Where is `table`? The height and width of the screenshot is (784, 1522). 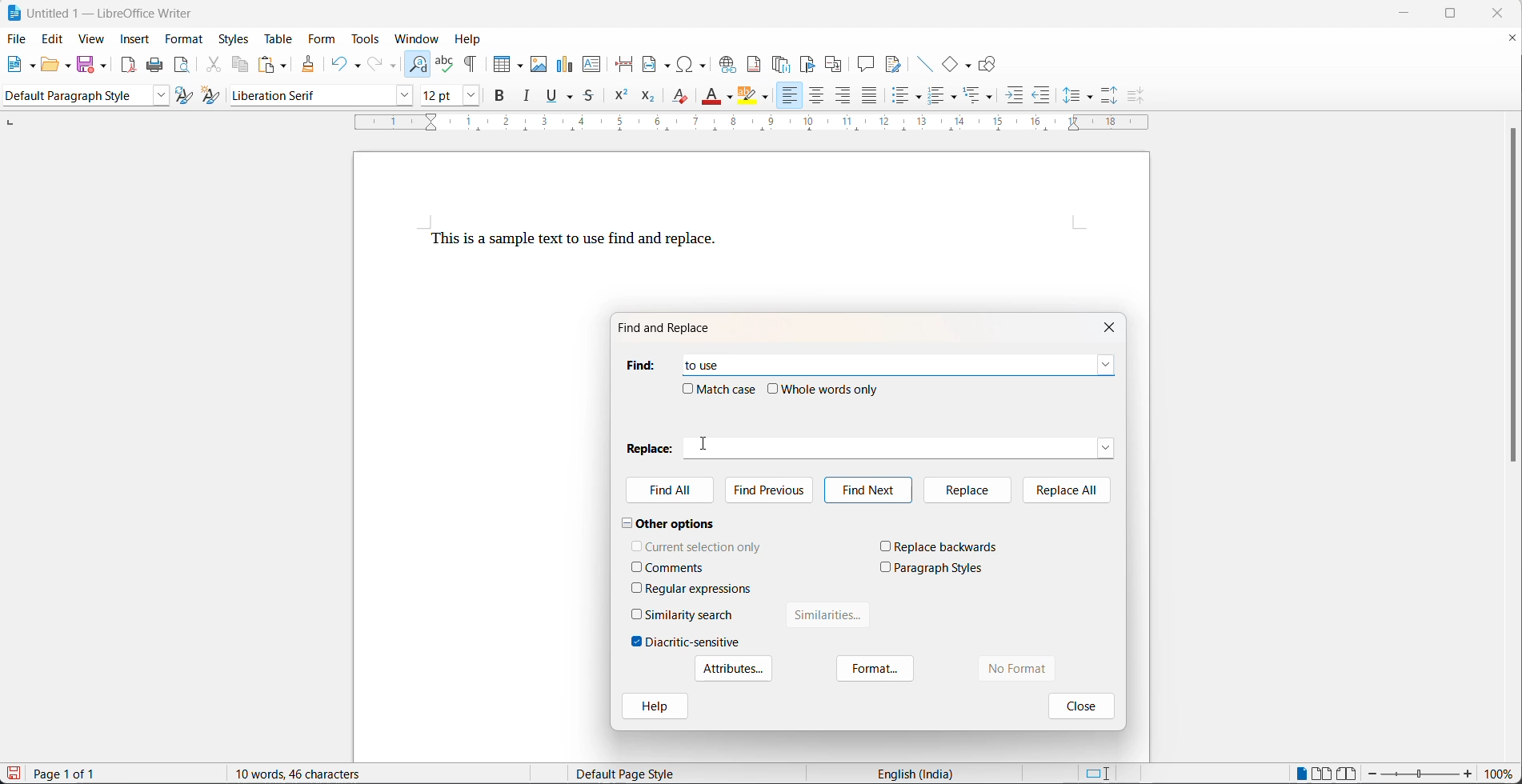
table is located at coordinates (276, 38).